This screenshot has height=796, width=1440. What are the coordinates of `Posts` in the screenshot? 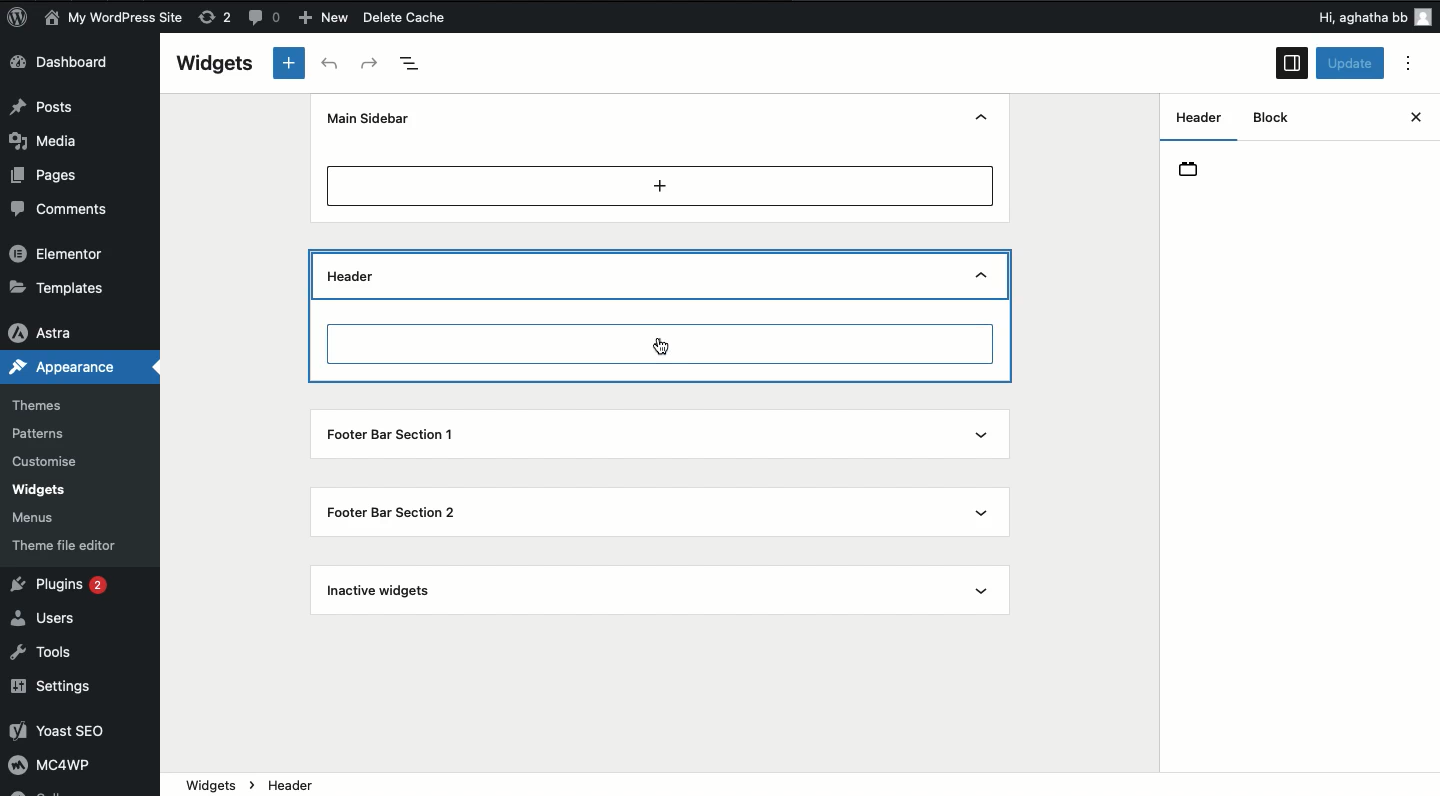 It's located at (51, 107).